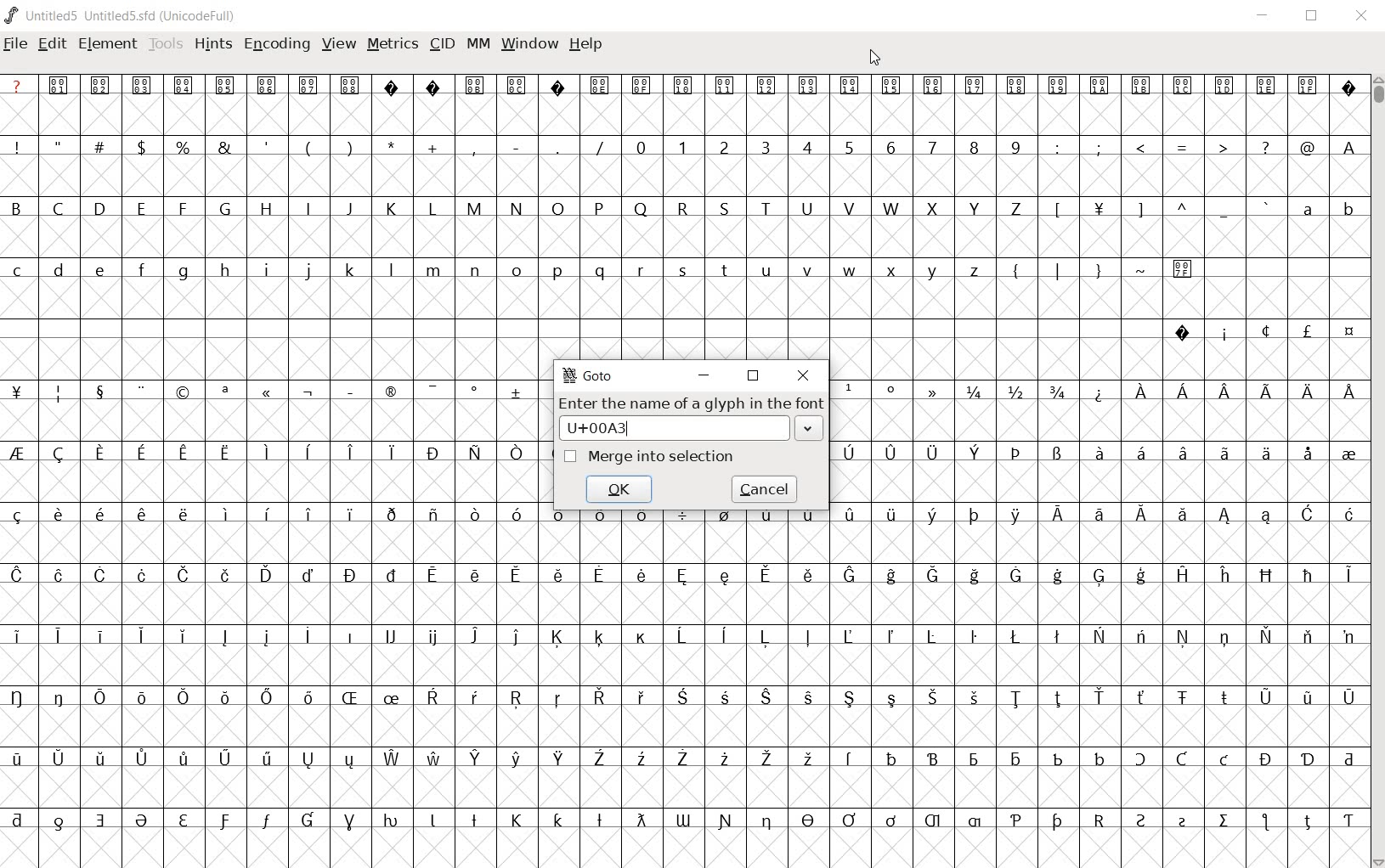 The width and height of the screenshot is (1385, 868). What do you see at coordinates (475, 516) in the screenshot?
I see `Symbol` at bounding box center [475, 516].